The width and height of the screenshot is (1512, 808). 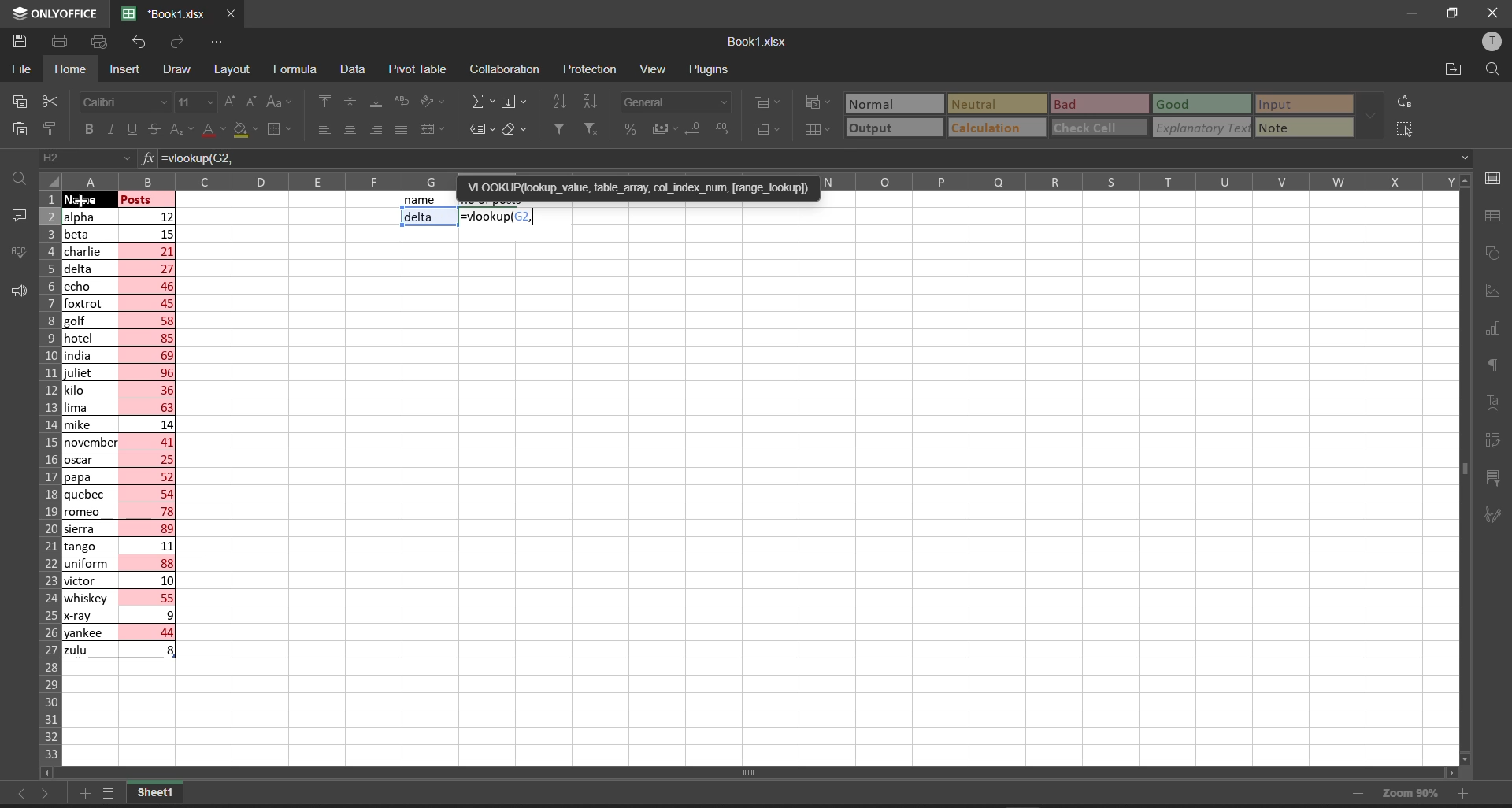 I want to click on decrement font size, so click(x=253, y=102).